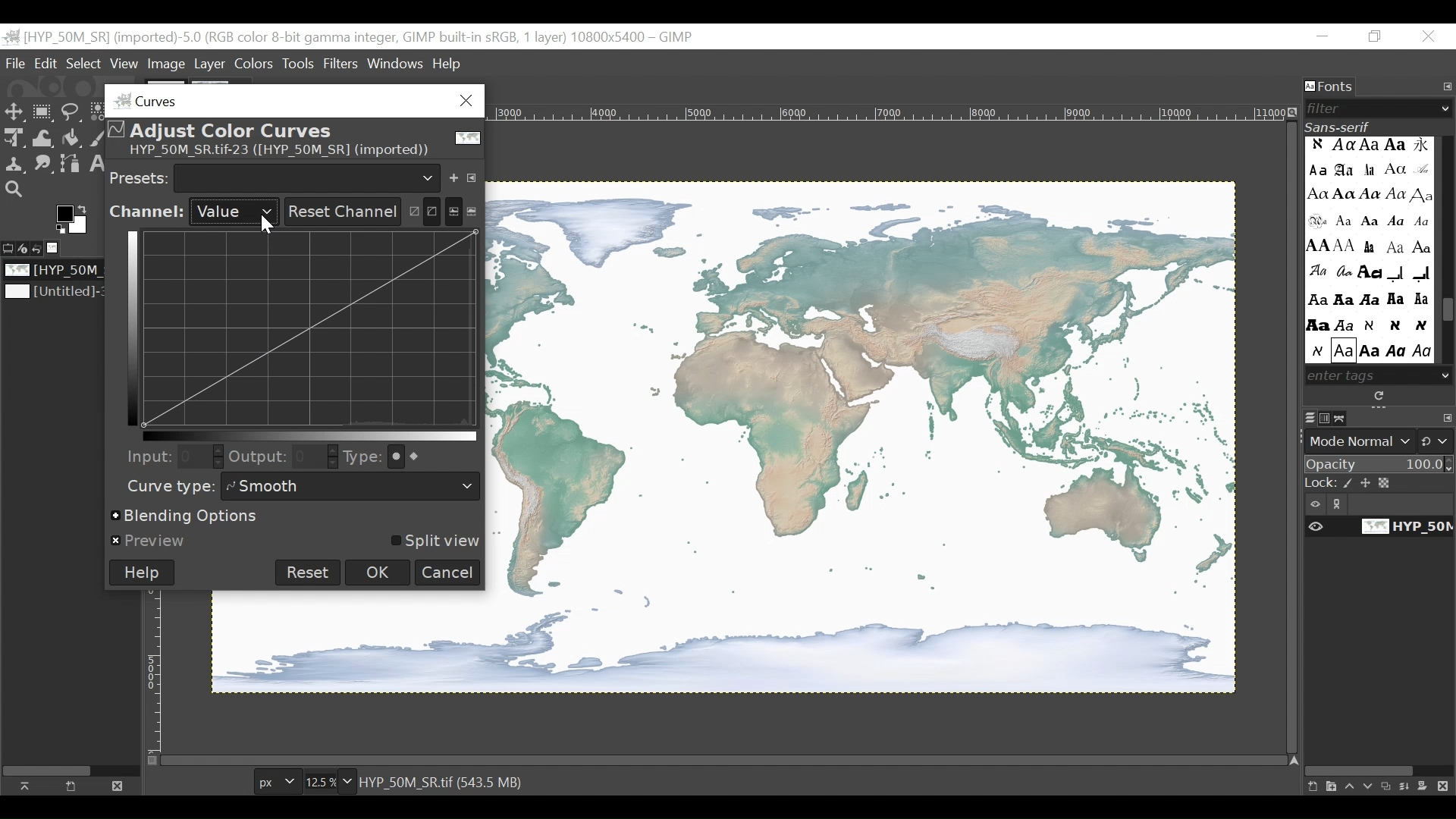 This screenshot has width=1456, height=819. I want to click on Image, so click(58, 248).